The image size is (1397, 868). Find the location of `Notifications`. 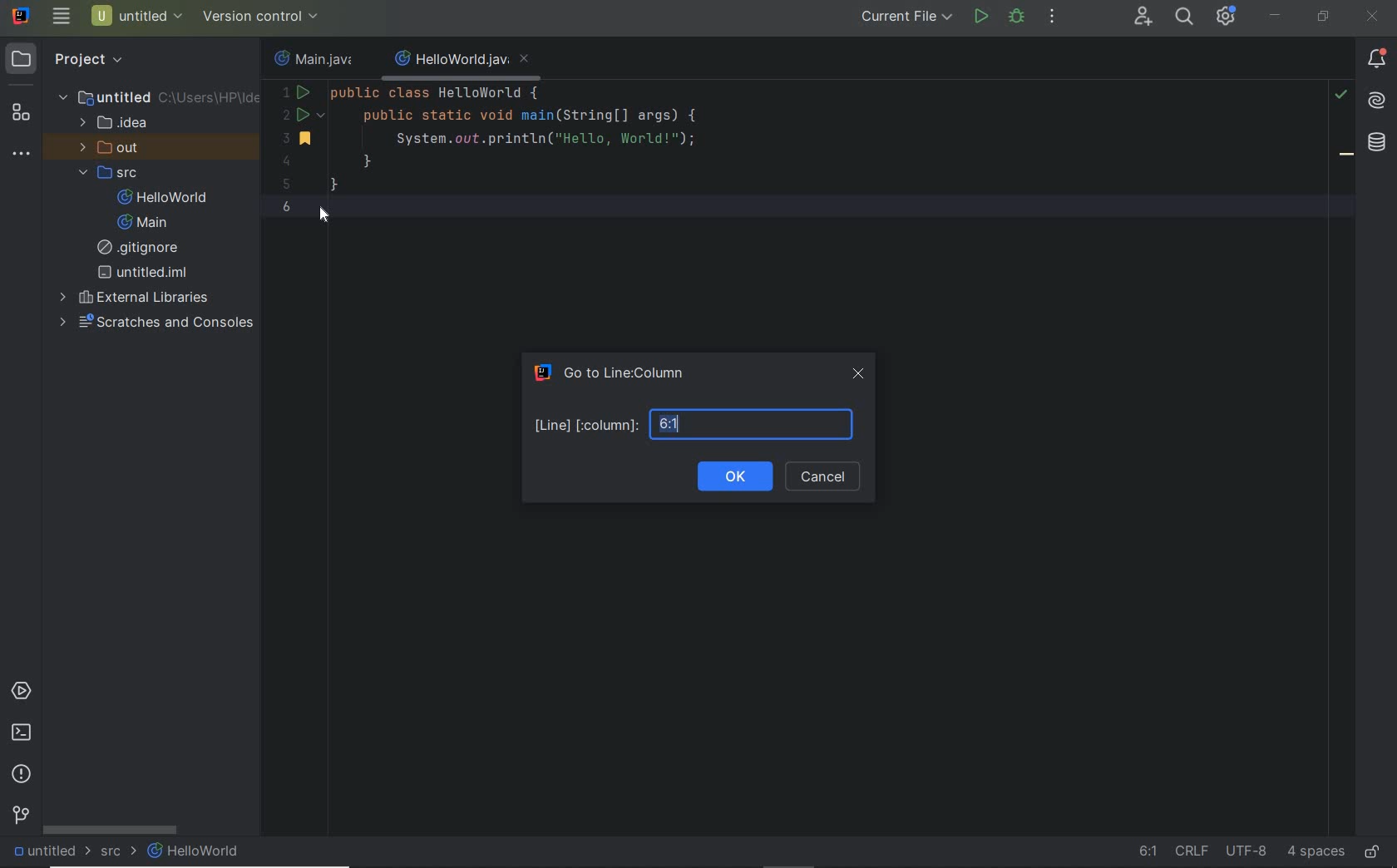

Notifications is located at coordinates (1377, 60).